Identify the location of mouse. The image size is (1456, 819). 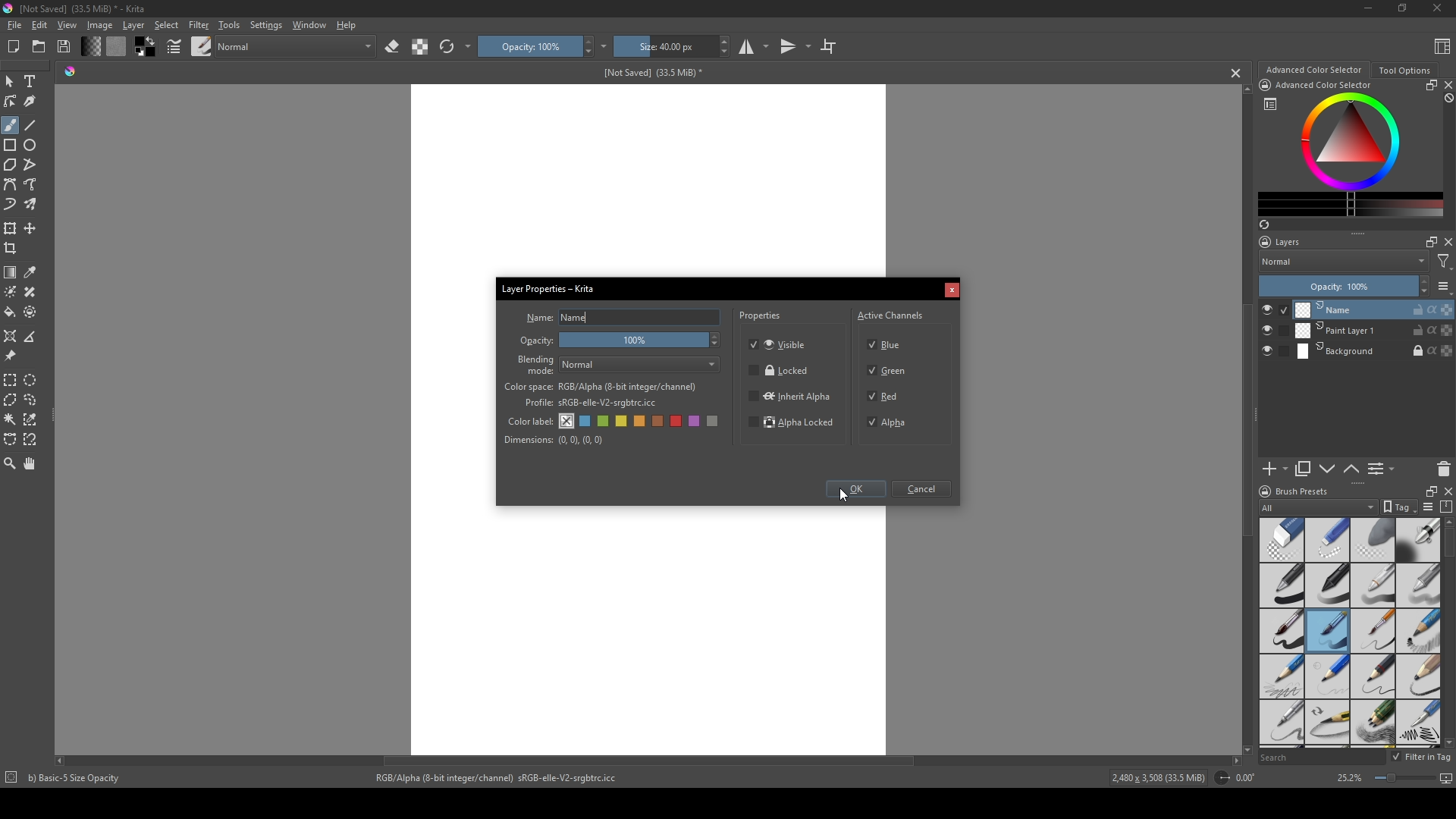
(9, 82).